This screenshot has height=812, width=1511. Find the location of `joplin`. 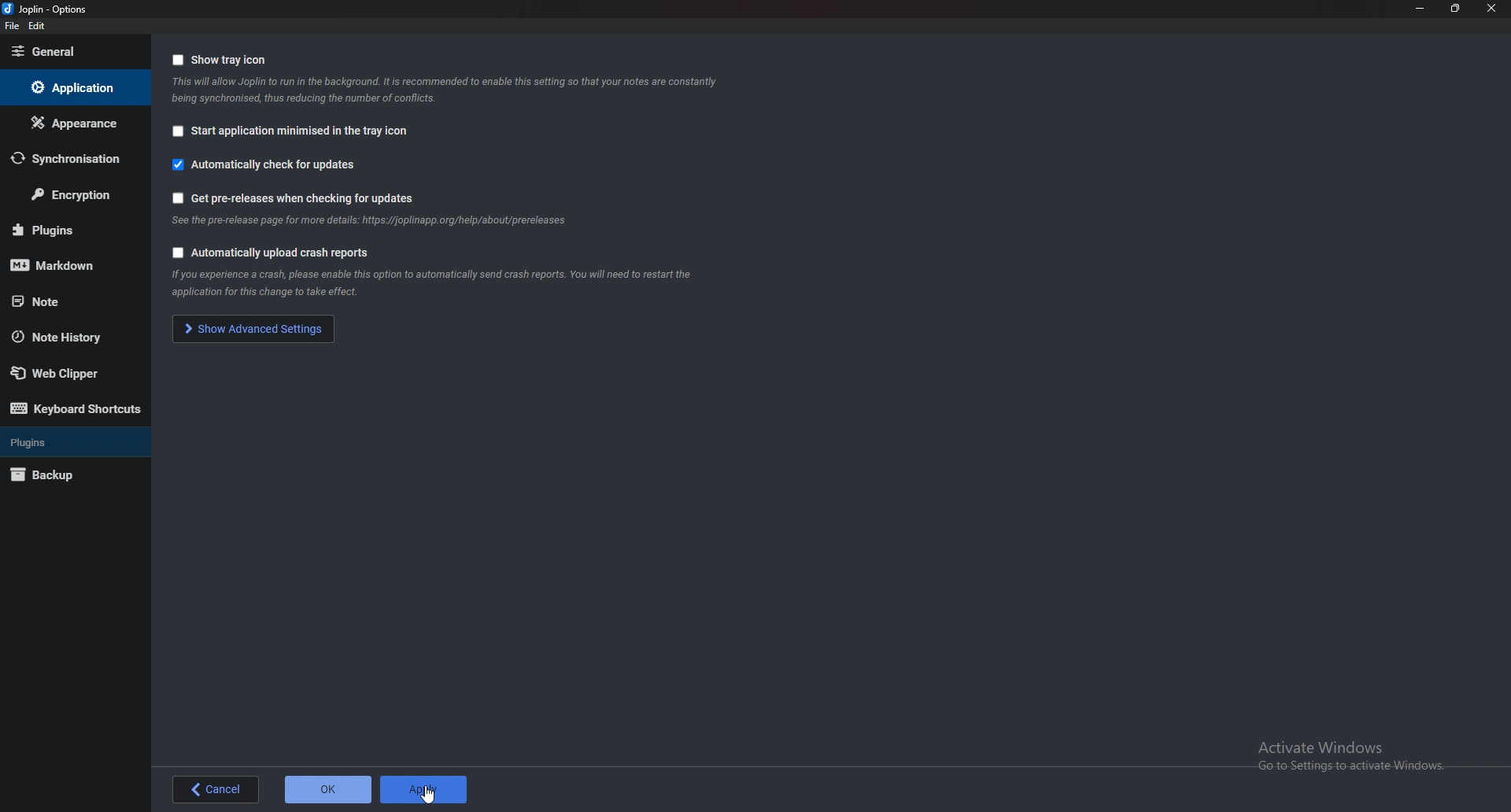

joplin is located at coordinates (54, 9).